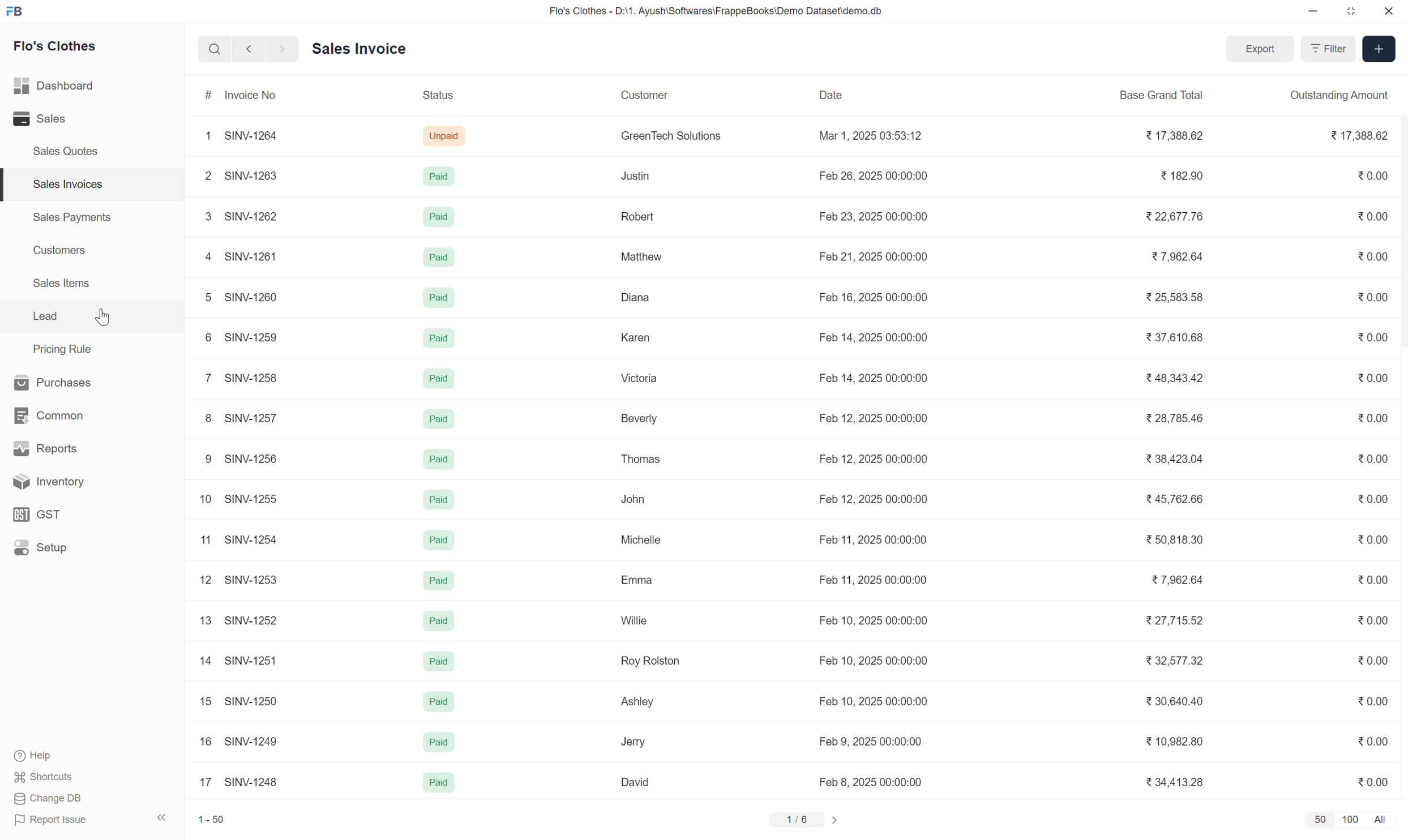 The image size is (1408, 840). Describe the element at coordinates (48, 415) in the screenshot. I see ` Common` at that location.